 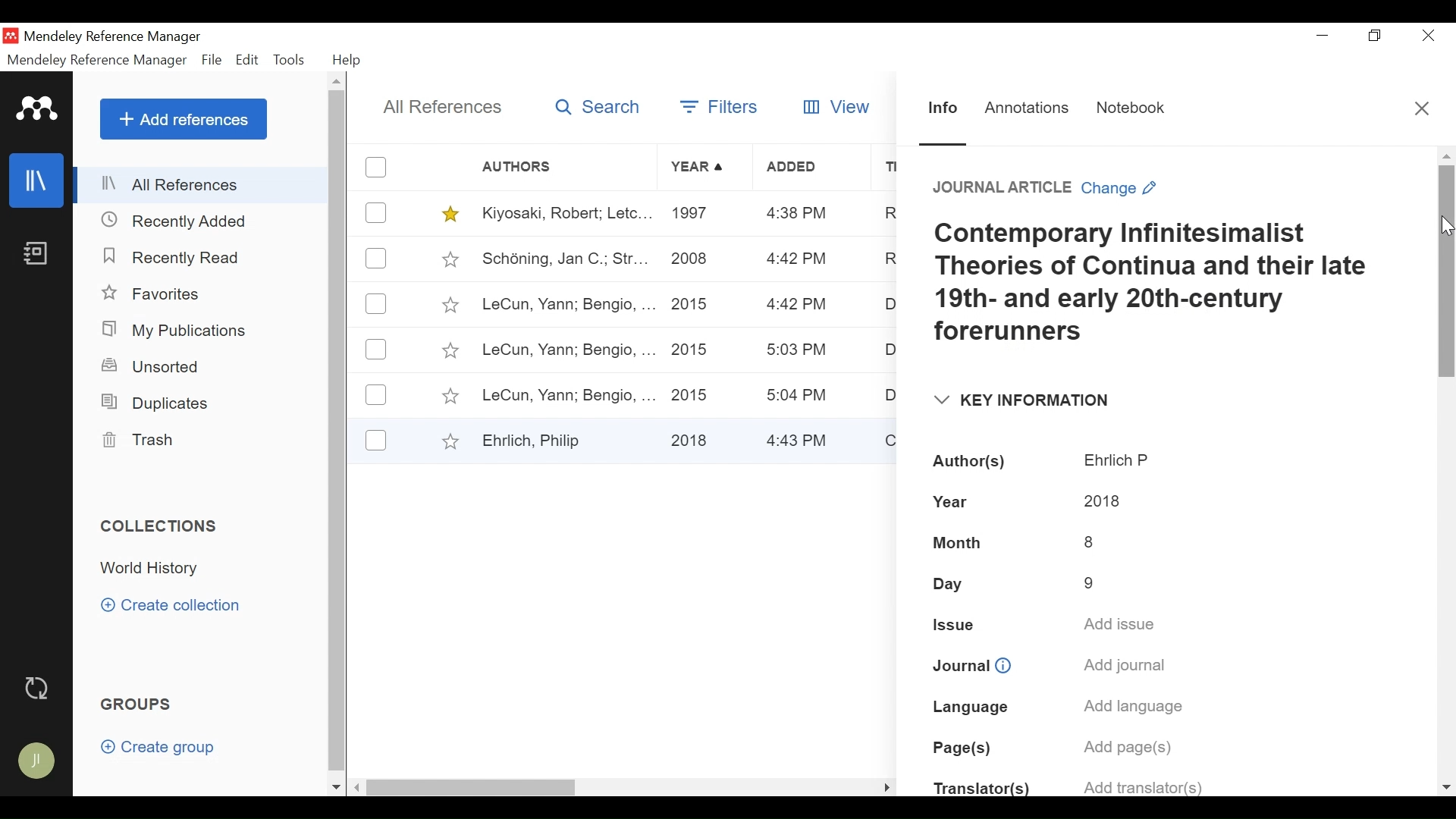 I want to click on Added, so click(x=812, y=168).